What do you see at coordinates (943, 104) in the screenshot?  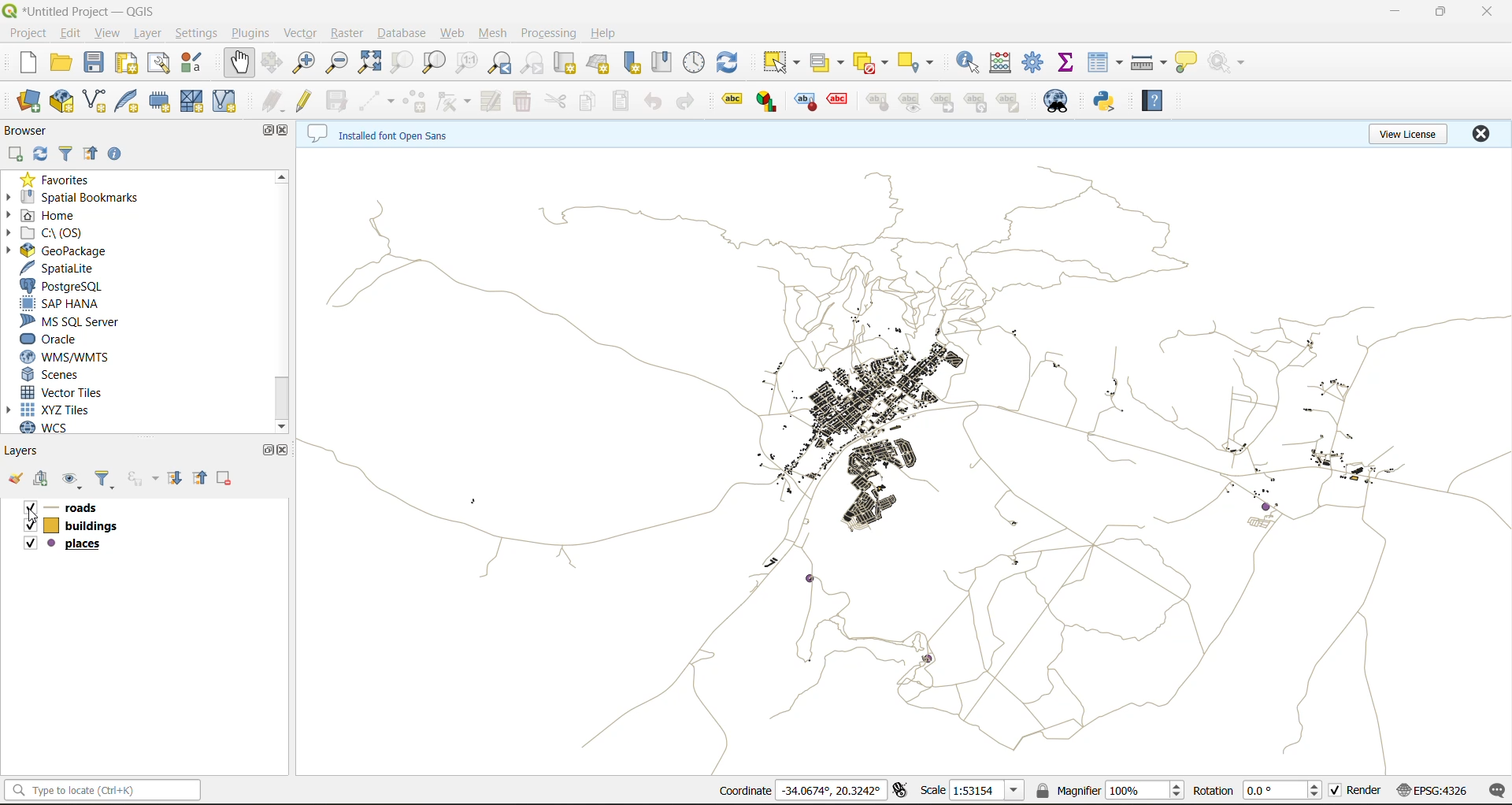 I see `labels toolbar 7` at bounding box center [943, 104].